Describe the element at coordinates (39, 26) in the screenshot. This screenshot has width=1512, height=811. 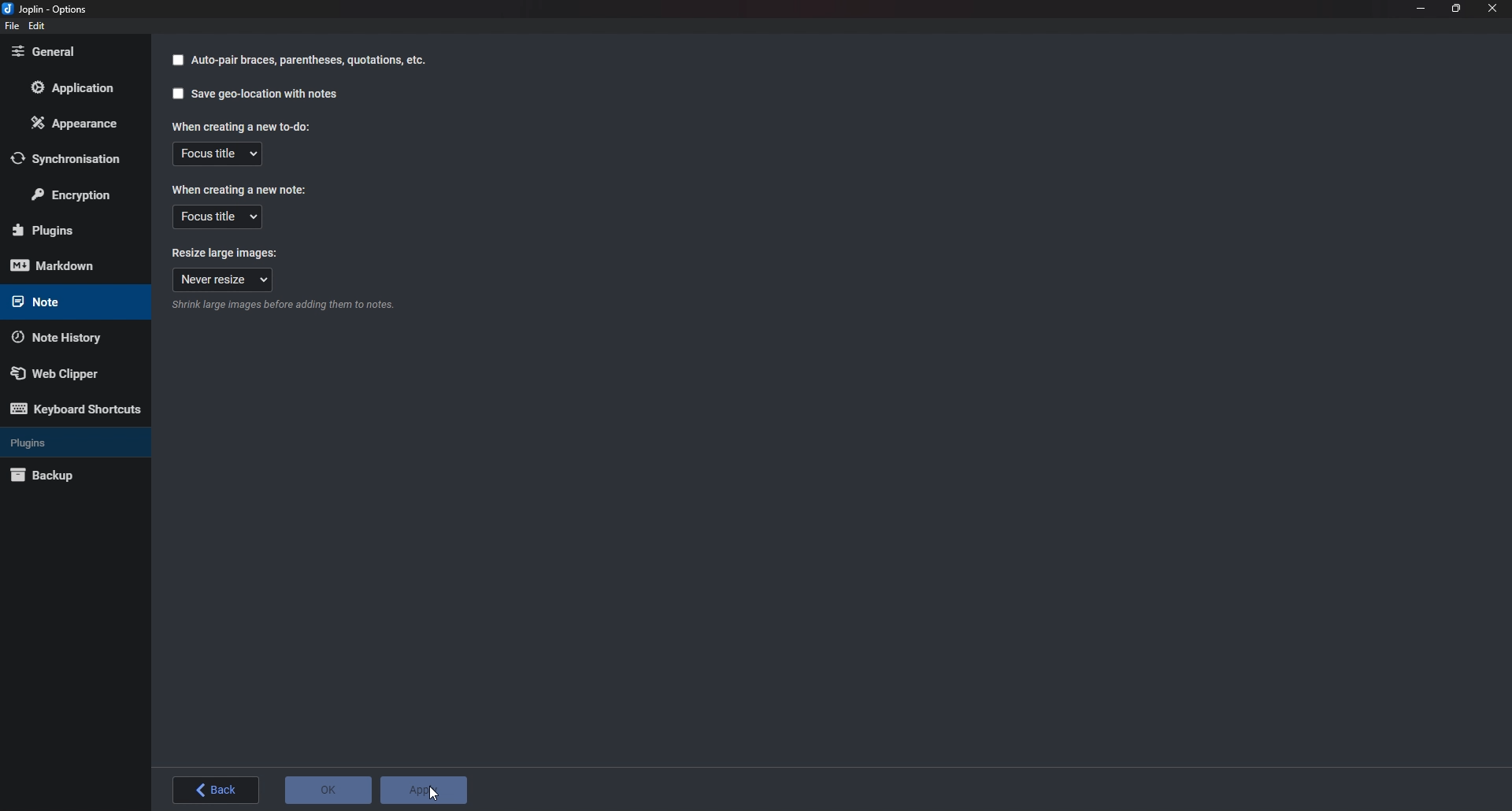
I see `edit` at that location.